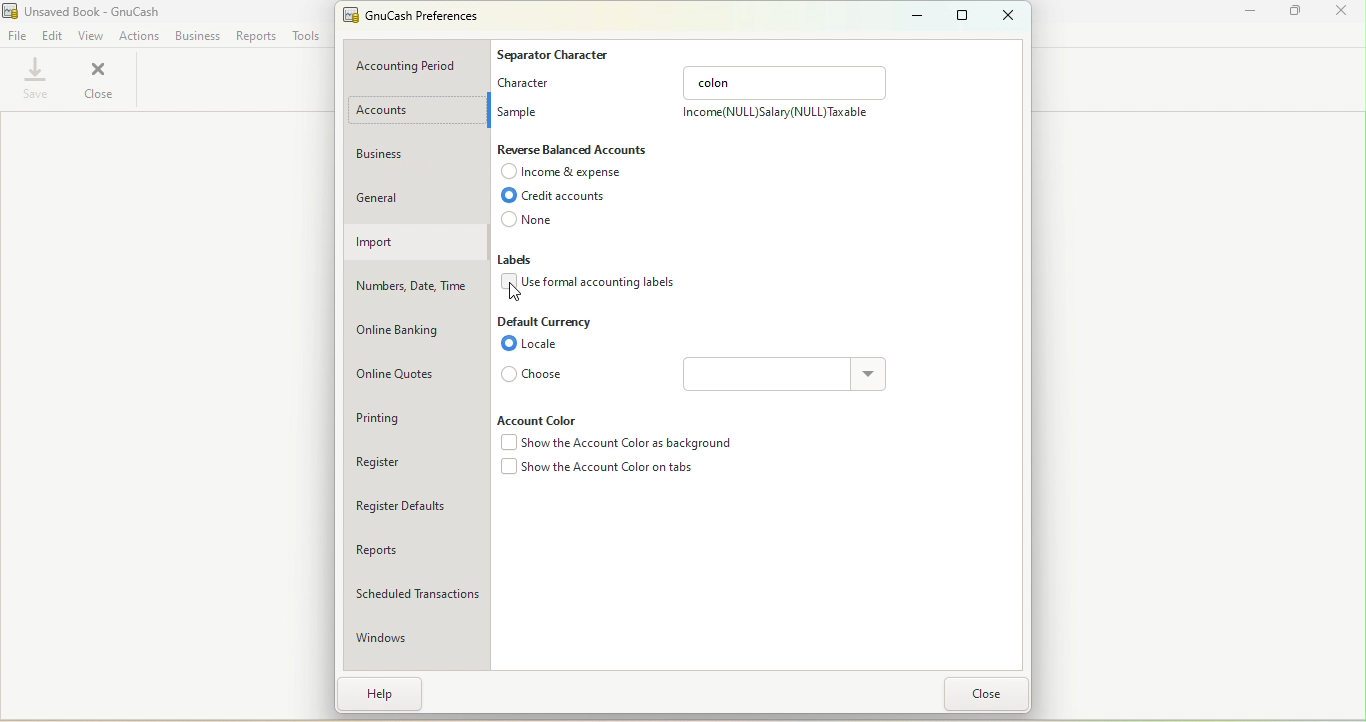 This screenshot has width=1366, height=722. Describe the element at coordinates (592, 284) in the screenshot. I see `Use formal accounting labels` at that location.